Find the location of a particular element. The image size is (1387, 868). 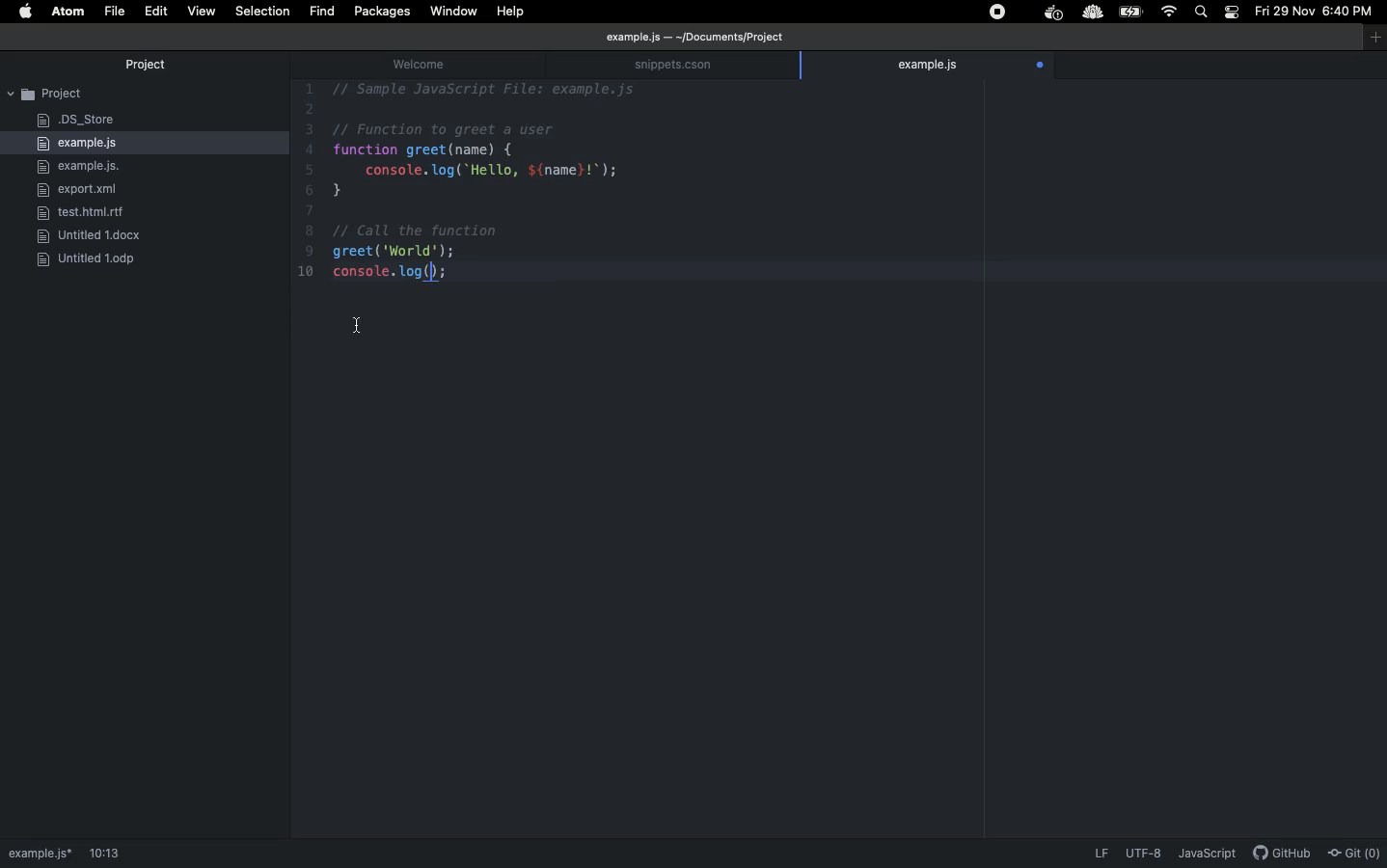

description is located at coordinates (1283, 854).